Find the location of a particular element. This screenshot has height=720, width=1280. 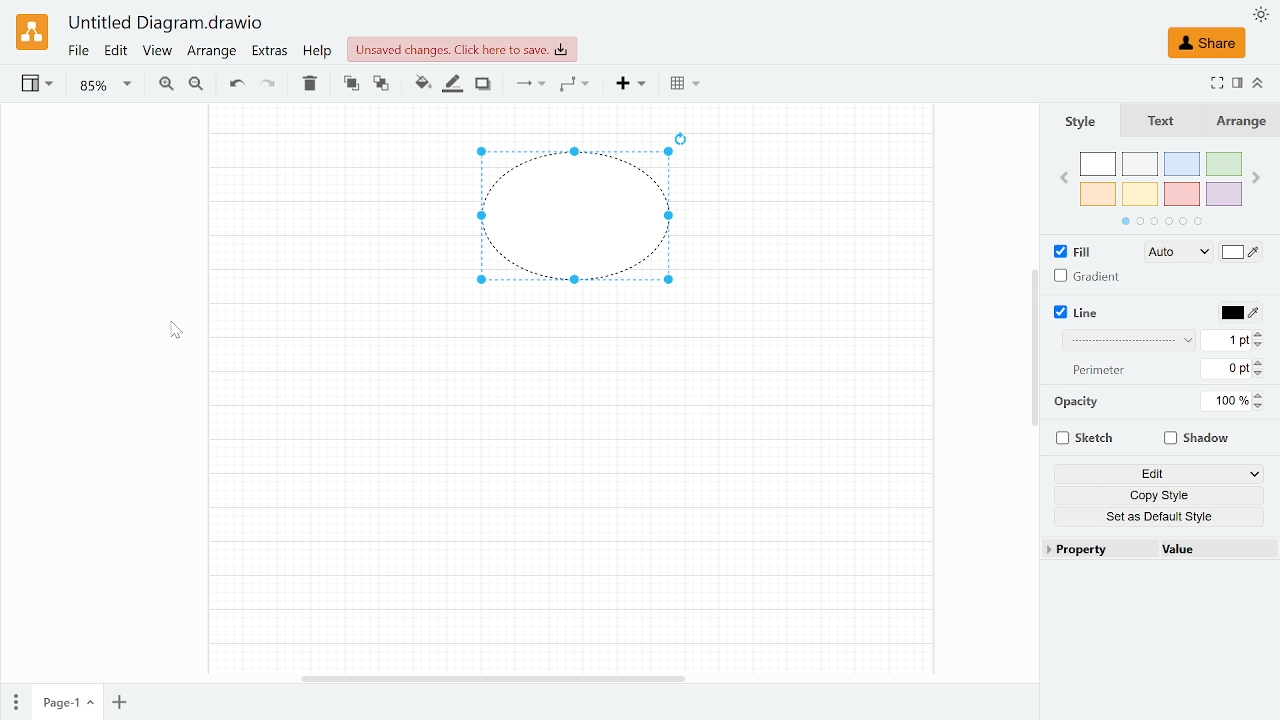

To front is located at coordinates (350, 86).